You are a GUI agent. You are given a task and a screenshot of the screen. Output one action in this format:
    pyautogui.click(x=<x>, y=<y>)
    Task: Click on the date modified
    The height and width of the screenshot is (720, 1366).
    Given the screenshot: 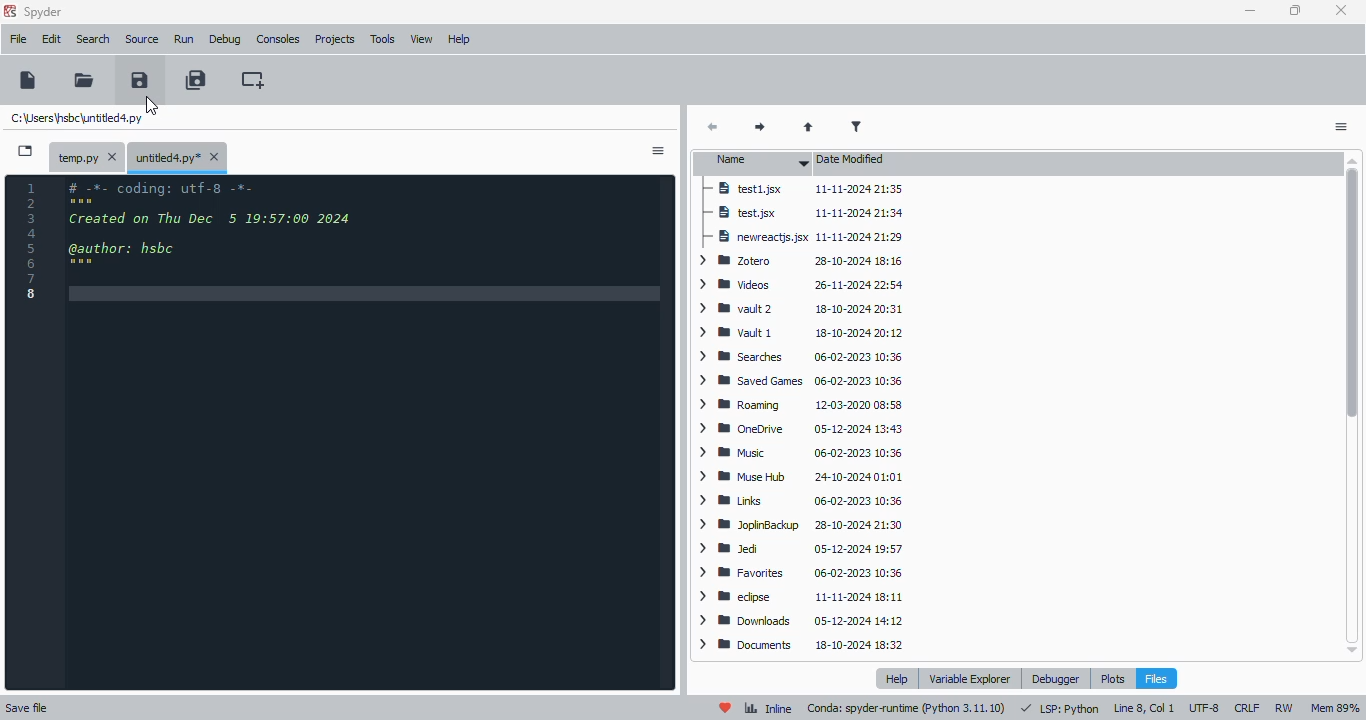 What is the action you would take?
    pyautogui.click(x=853, y=160)
    